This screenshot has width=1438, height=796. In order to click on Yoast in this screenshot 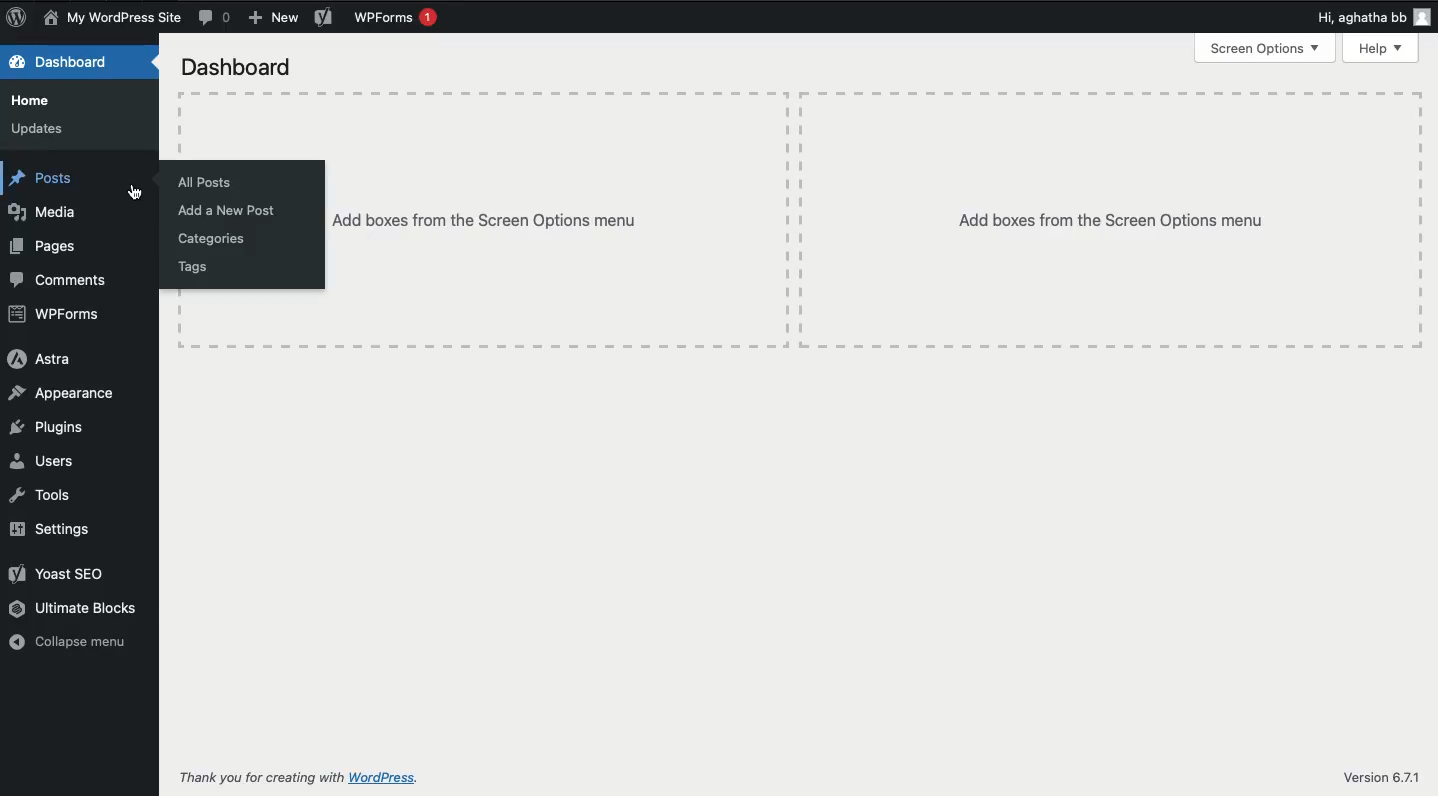, I will do `click(322, 18)`.